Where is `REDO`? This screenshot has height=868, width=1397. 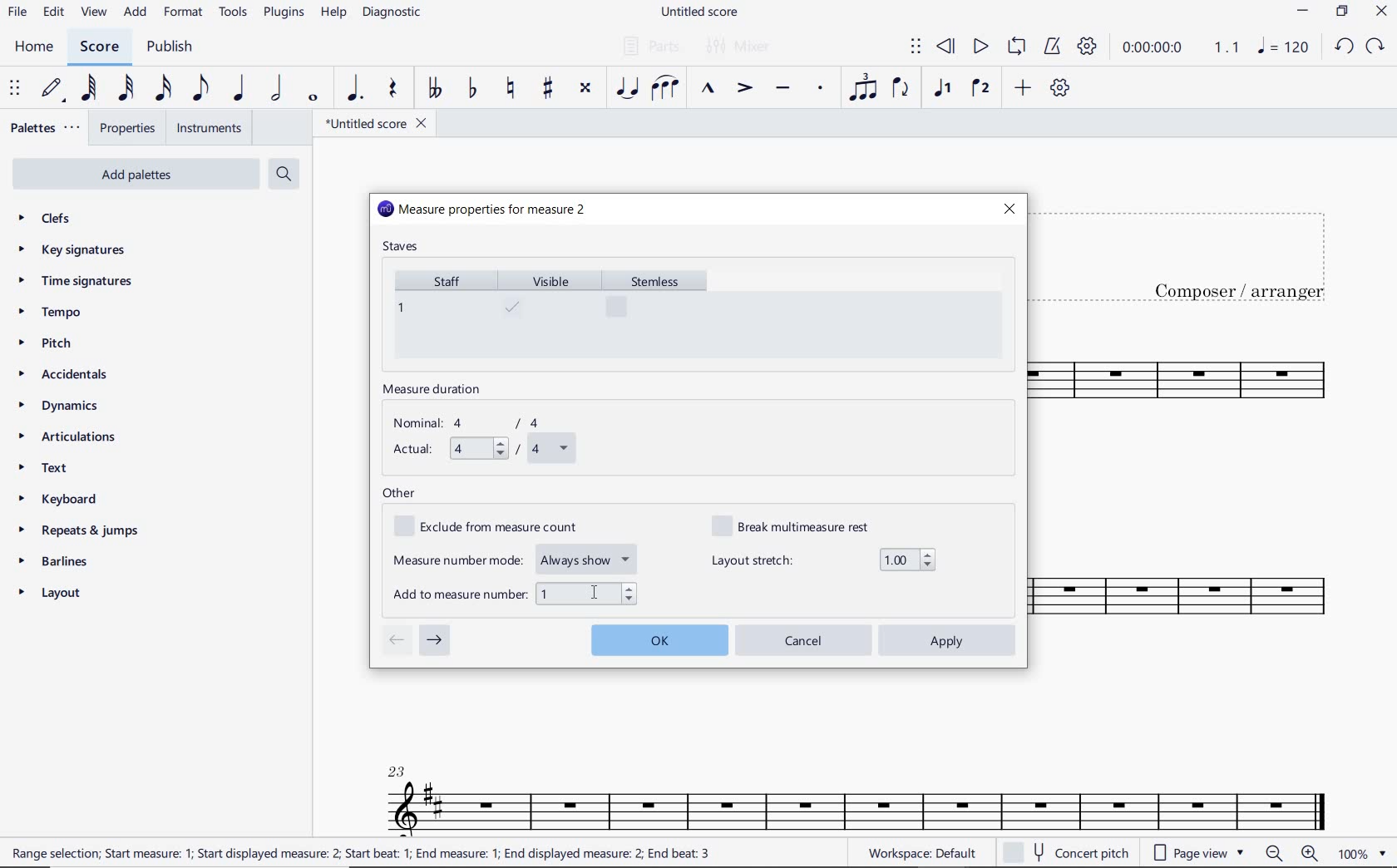 REDO is located at coordinates (1376, 47).